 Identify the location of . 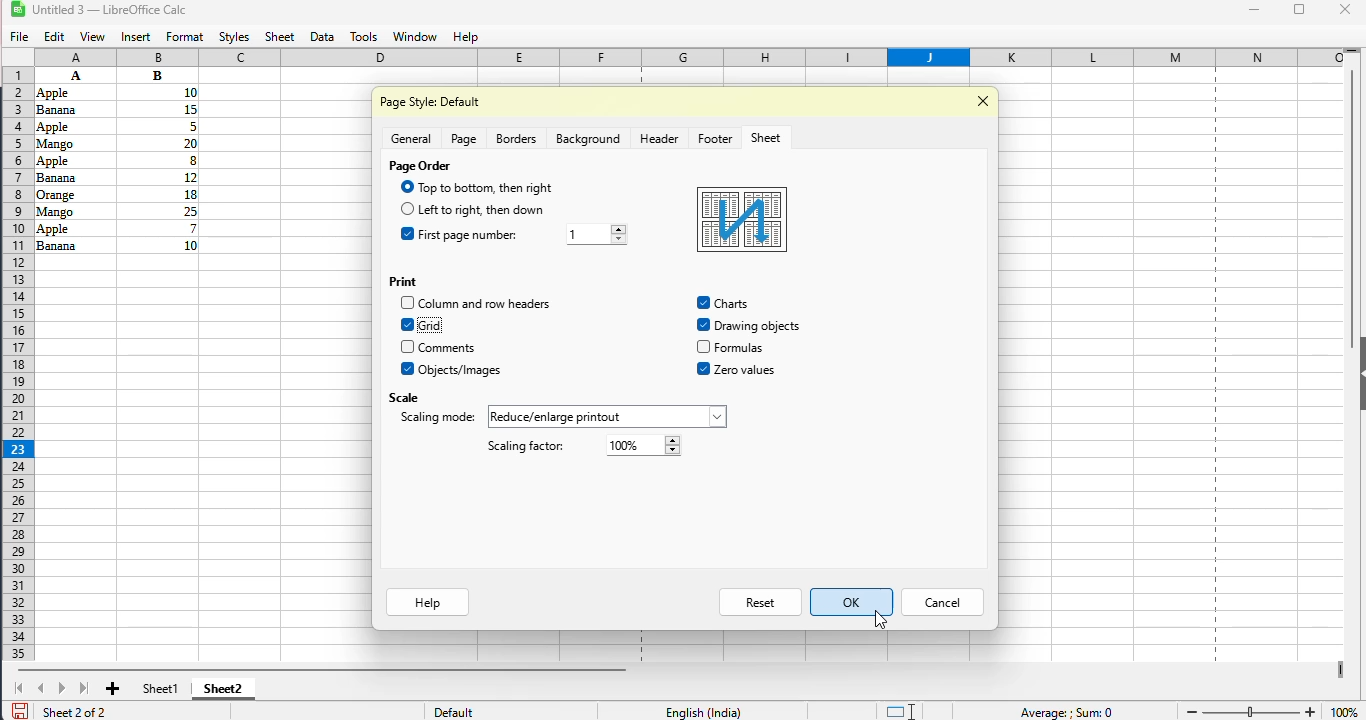
(408, 302).